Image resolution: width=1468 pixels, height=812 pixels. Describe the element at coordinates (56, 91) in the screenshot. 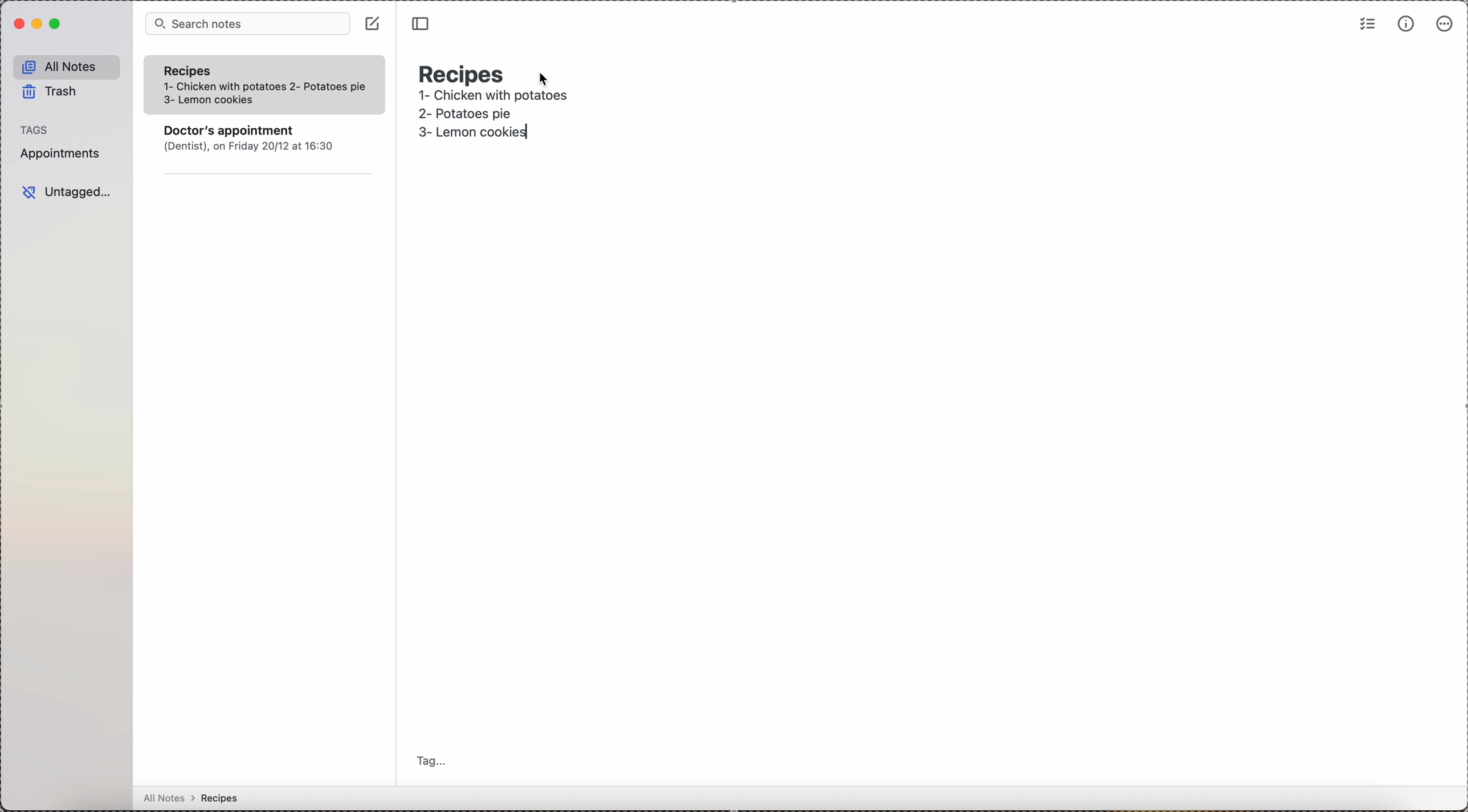

I see `trash` at that location.